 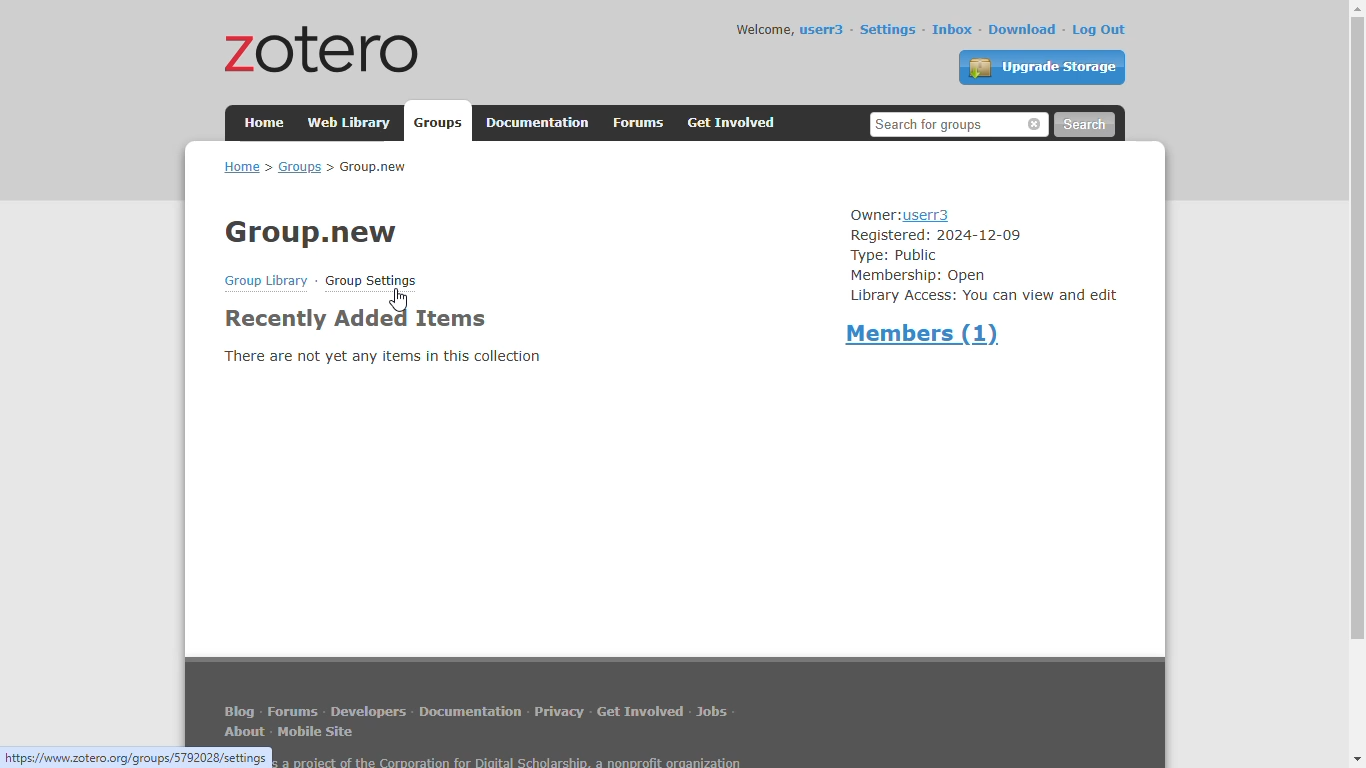 What do you see at coordinates (314, 166) in the screenshot?
I see `home > groups > group.new` at bounding box center [314, 166].